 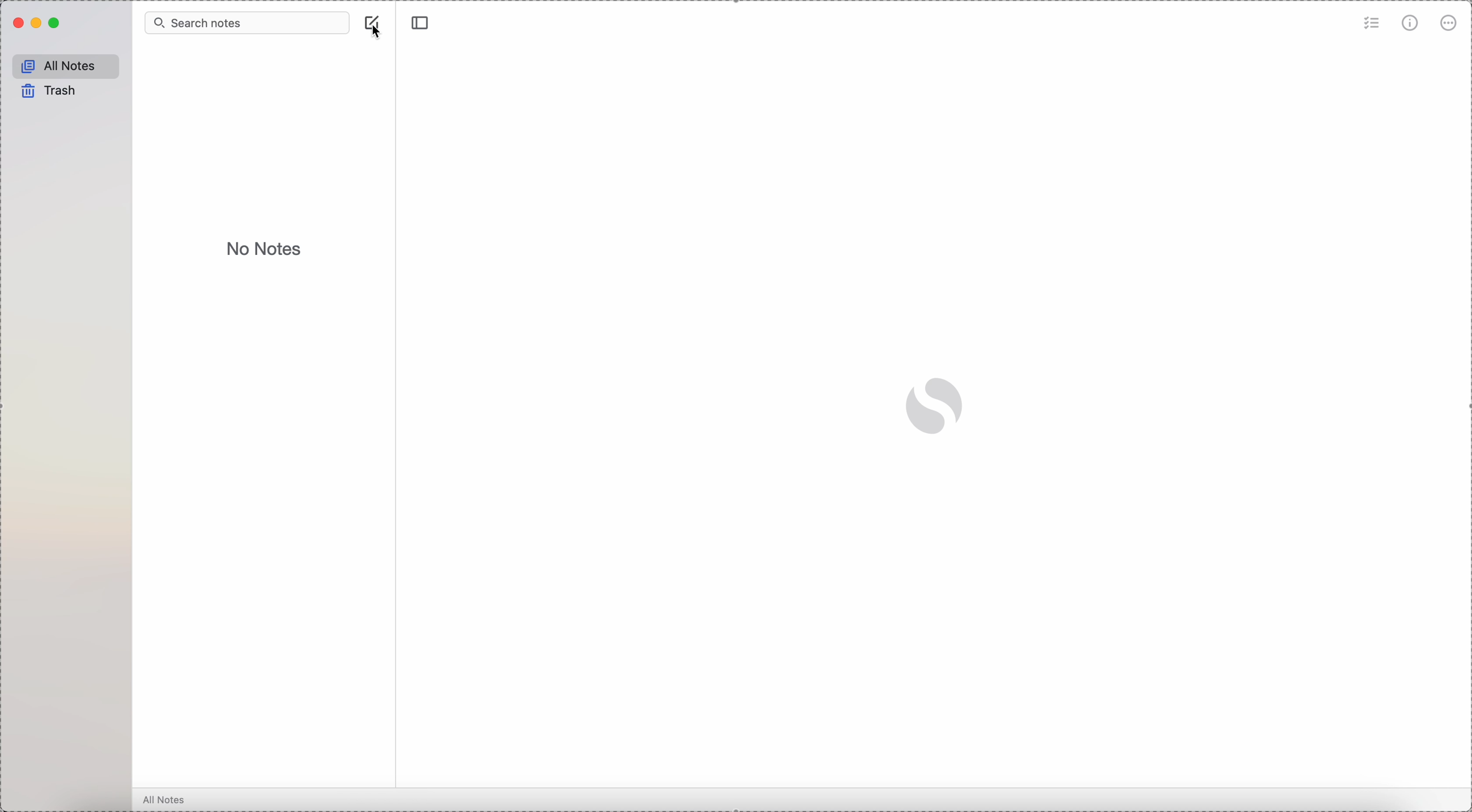 I want to click on maximize Simplenote, so click(x=58, y=23).